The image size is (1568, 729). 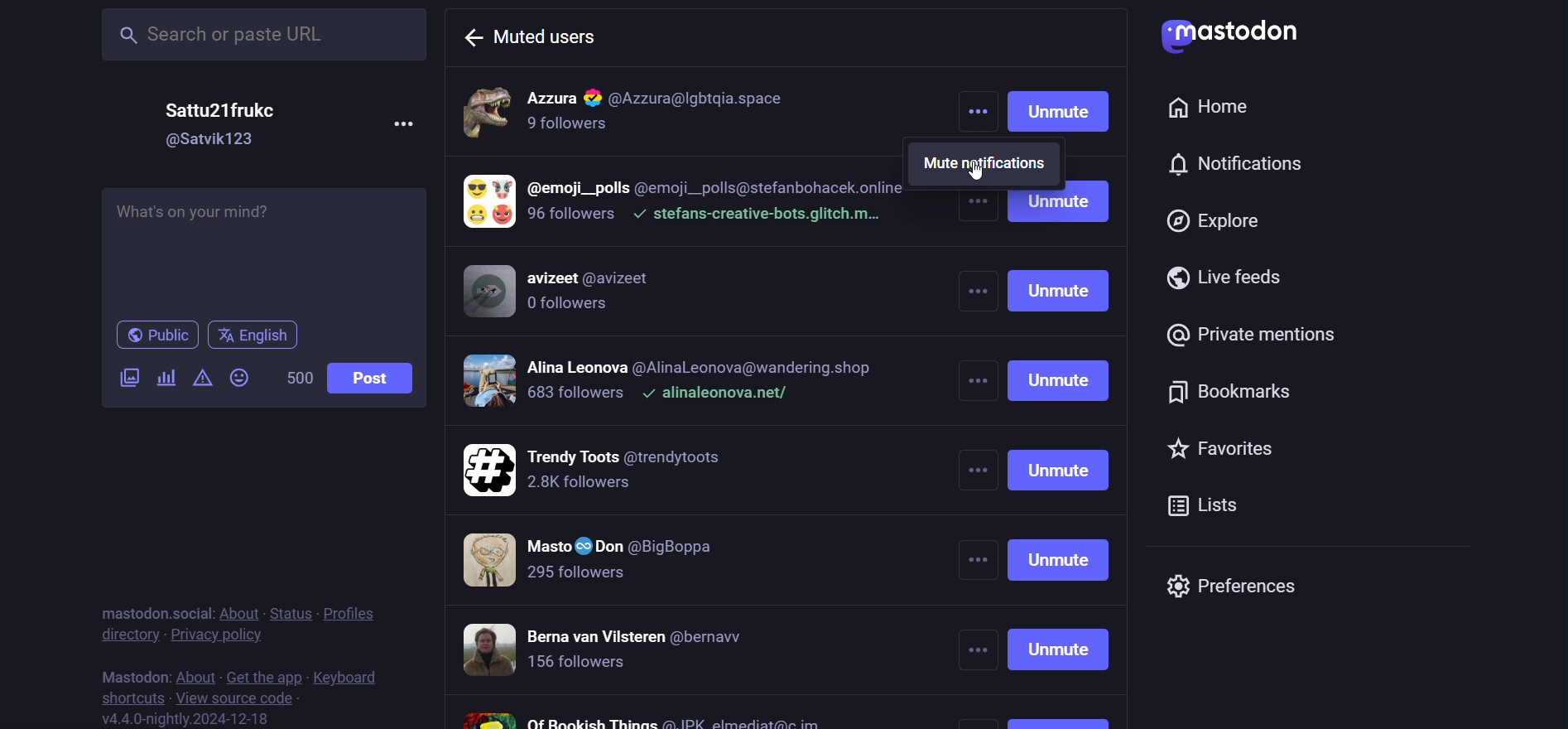 What do you see at coordinates (990, 163) in the screenshot?
I see `mute notification` at bounding box center [990, 163].